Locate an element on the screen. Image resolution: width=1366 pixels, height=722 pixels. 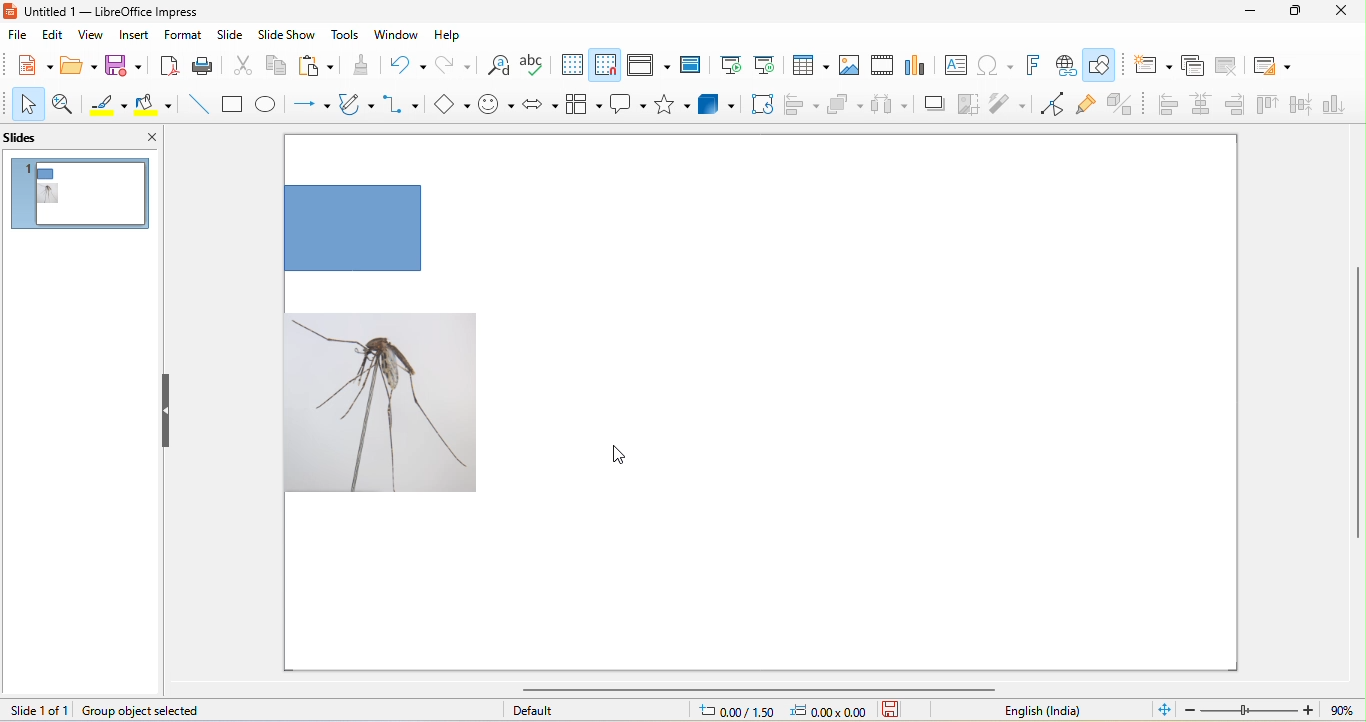
slides is located at coordinates (41, 139).